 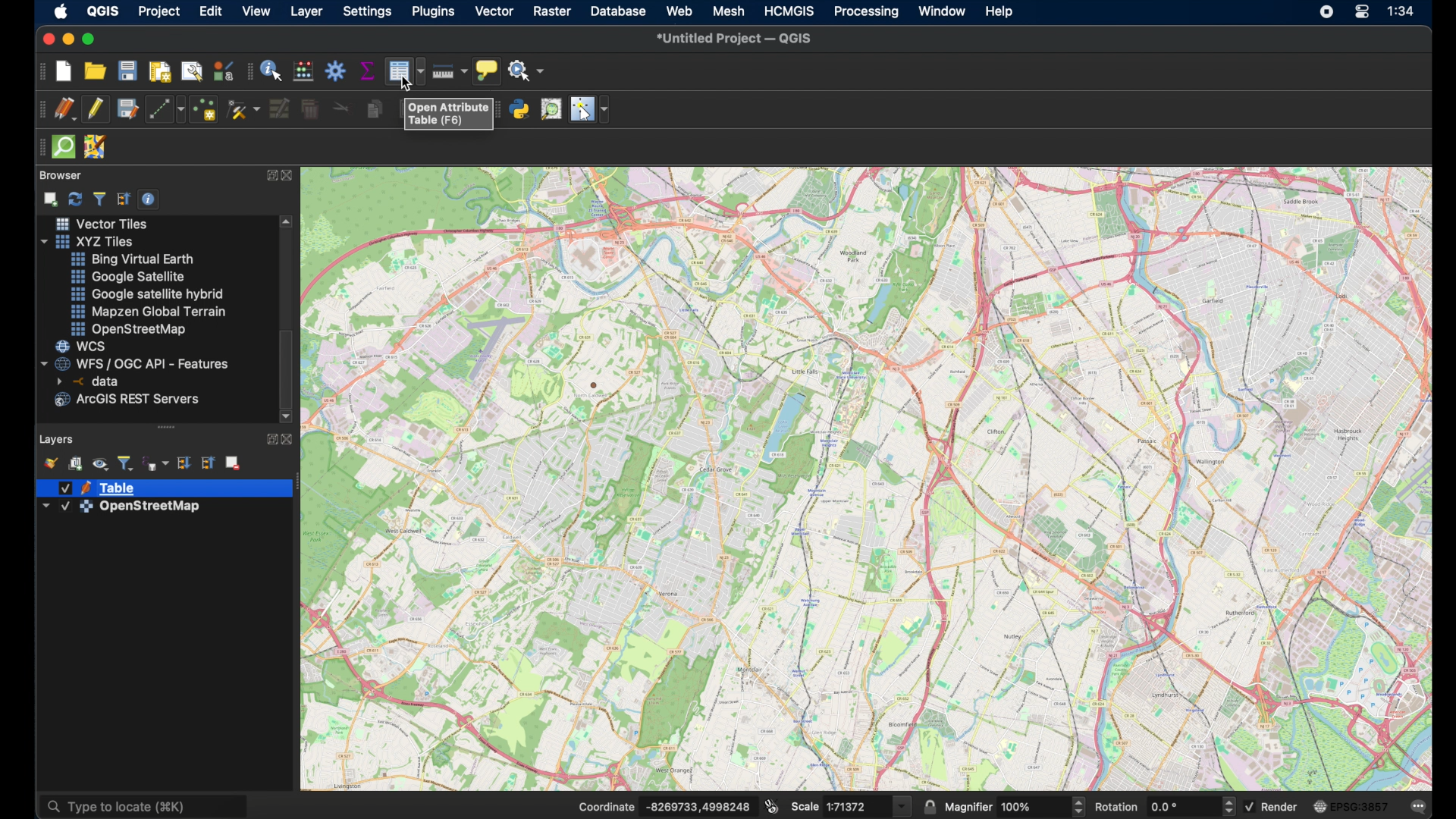 What do you see at coordinates (268, 441) in the screenshot?
I see `expand` at bounding box center [268, 441].